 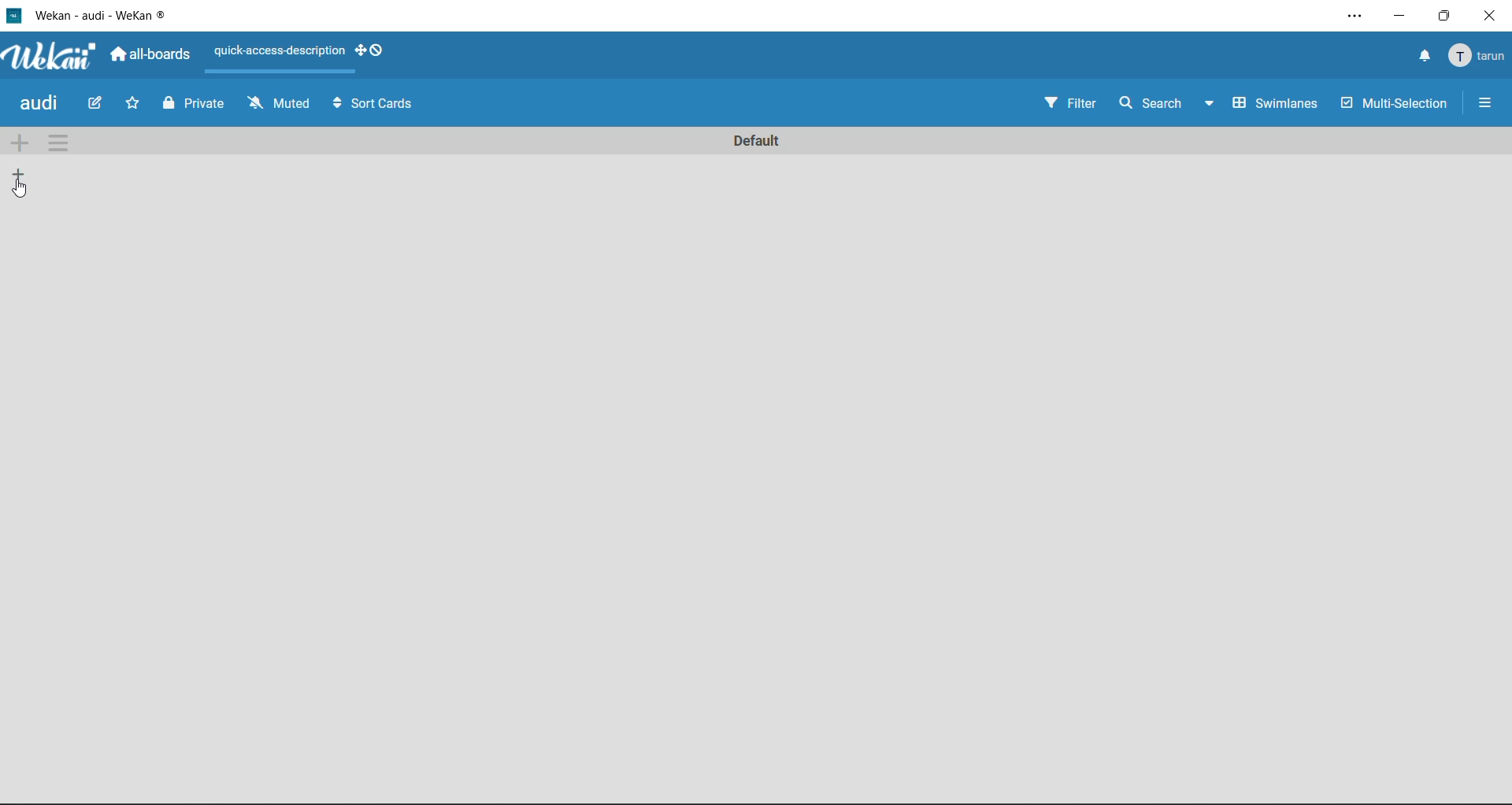 What do you see at coordinates (135, 106) in the screenshot?
I see `Favorite` at bounding box center [135, 106].